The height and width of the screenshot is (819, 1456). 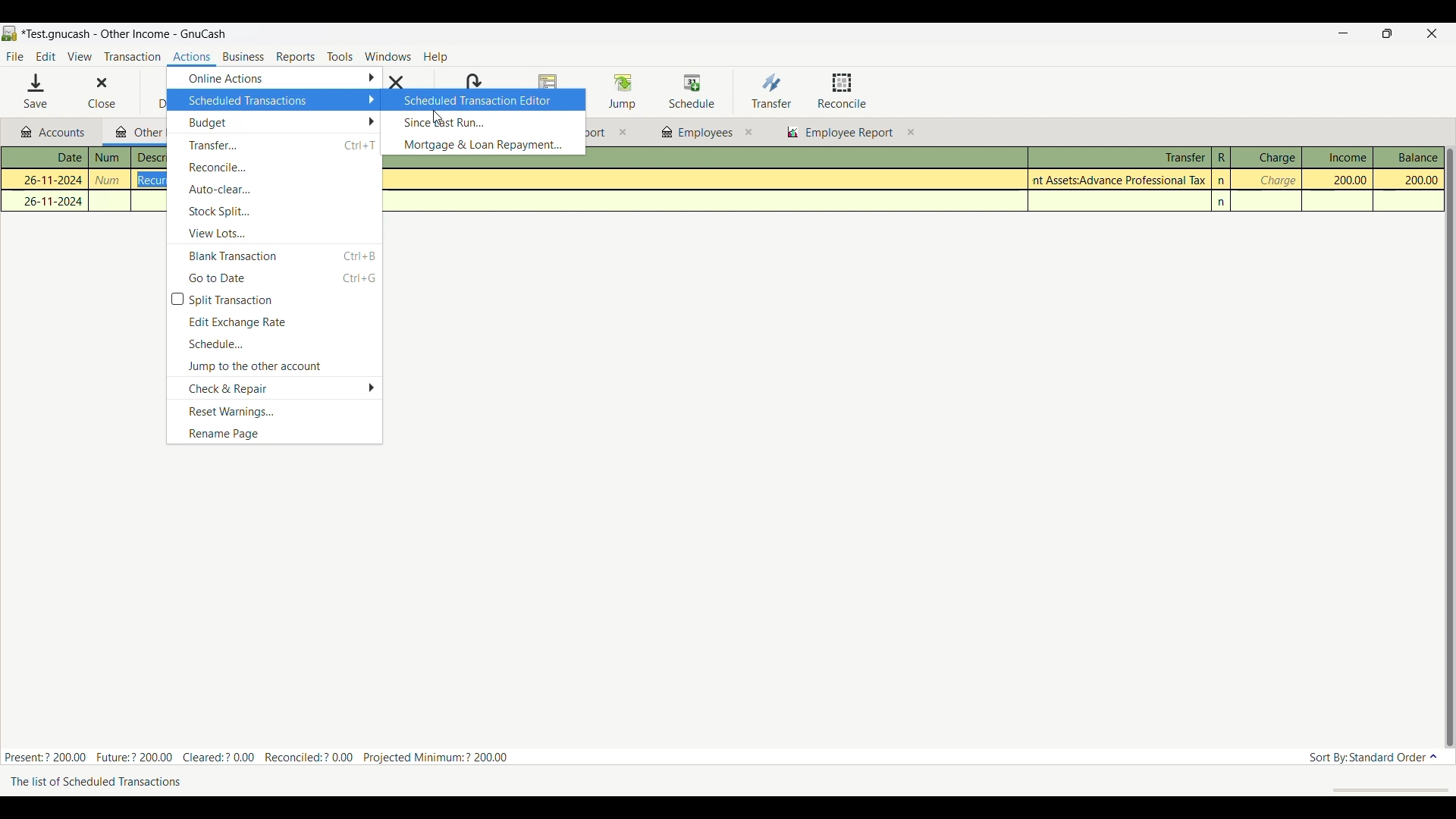 I want to click on Stock split, so click(x=275, y=211).